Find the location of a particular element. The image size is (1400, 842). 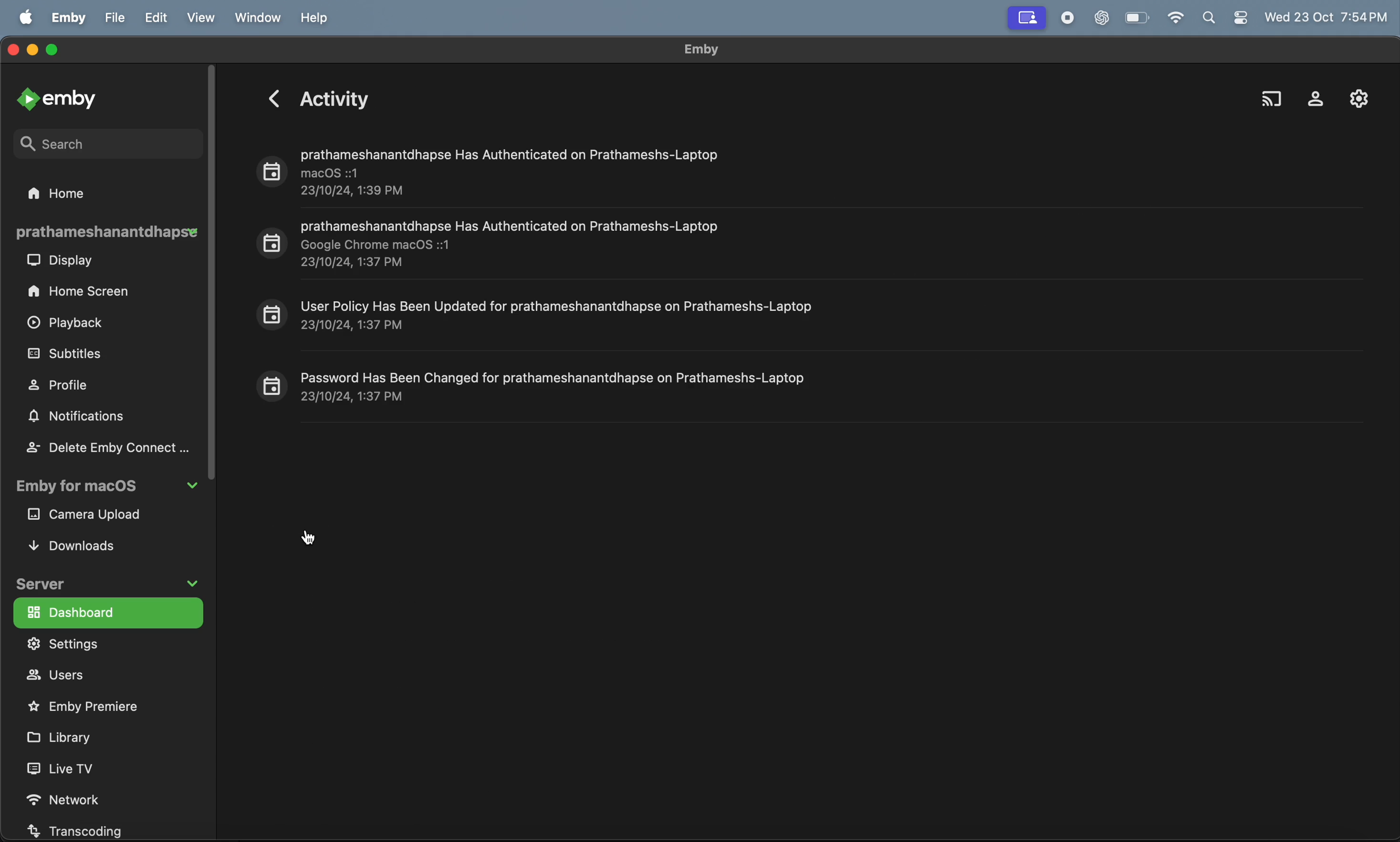

emby is located at coordinates (63, 98).